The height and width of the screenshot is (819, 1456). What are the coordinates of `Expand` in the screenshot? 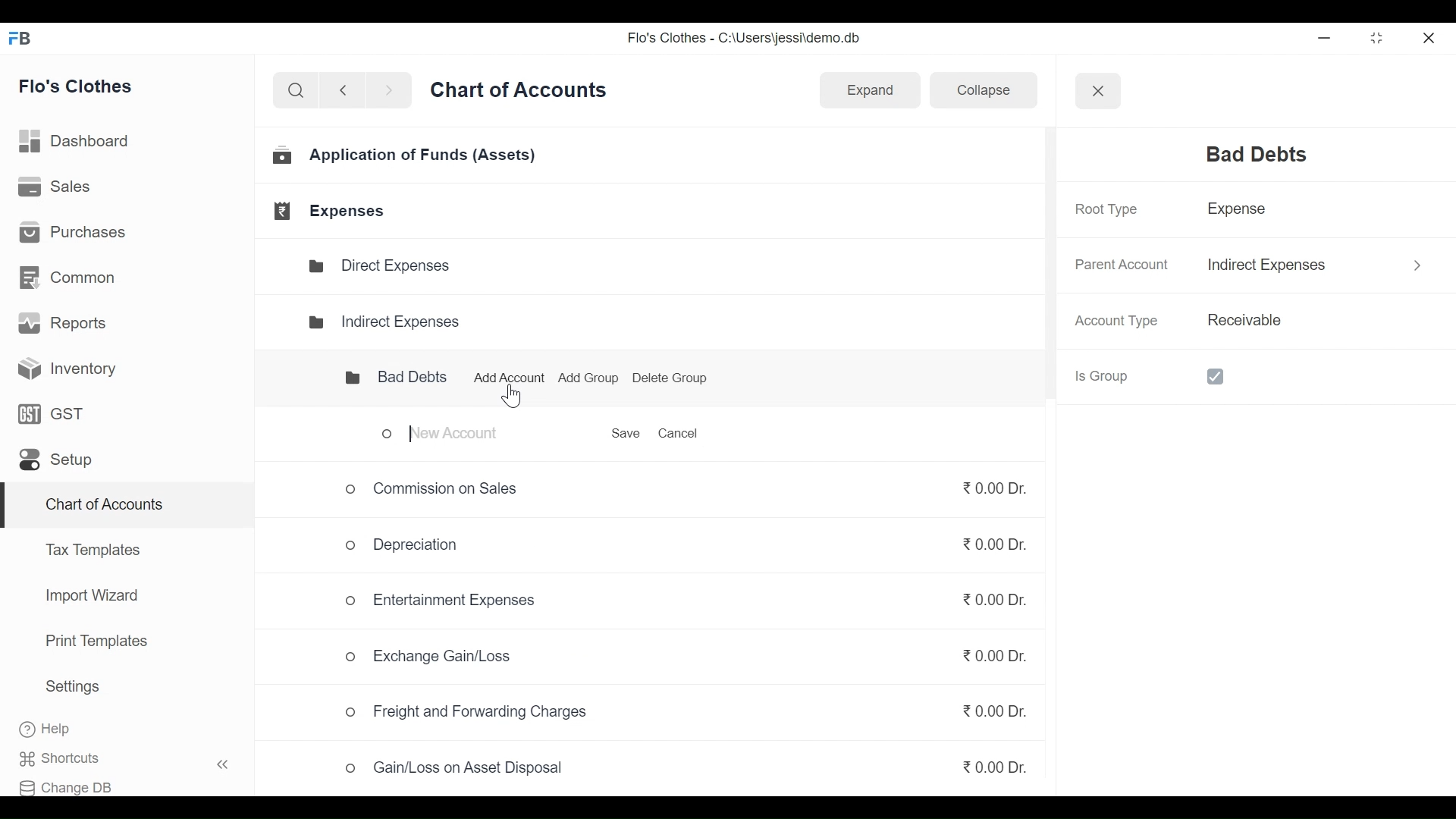 It's located at (869, 89).